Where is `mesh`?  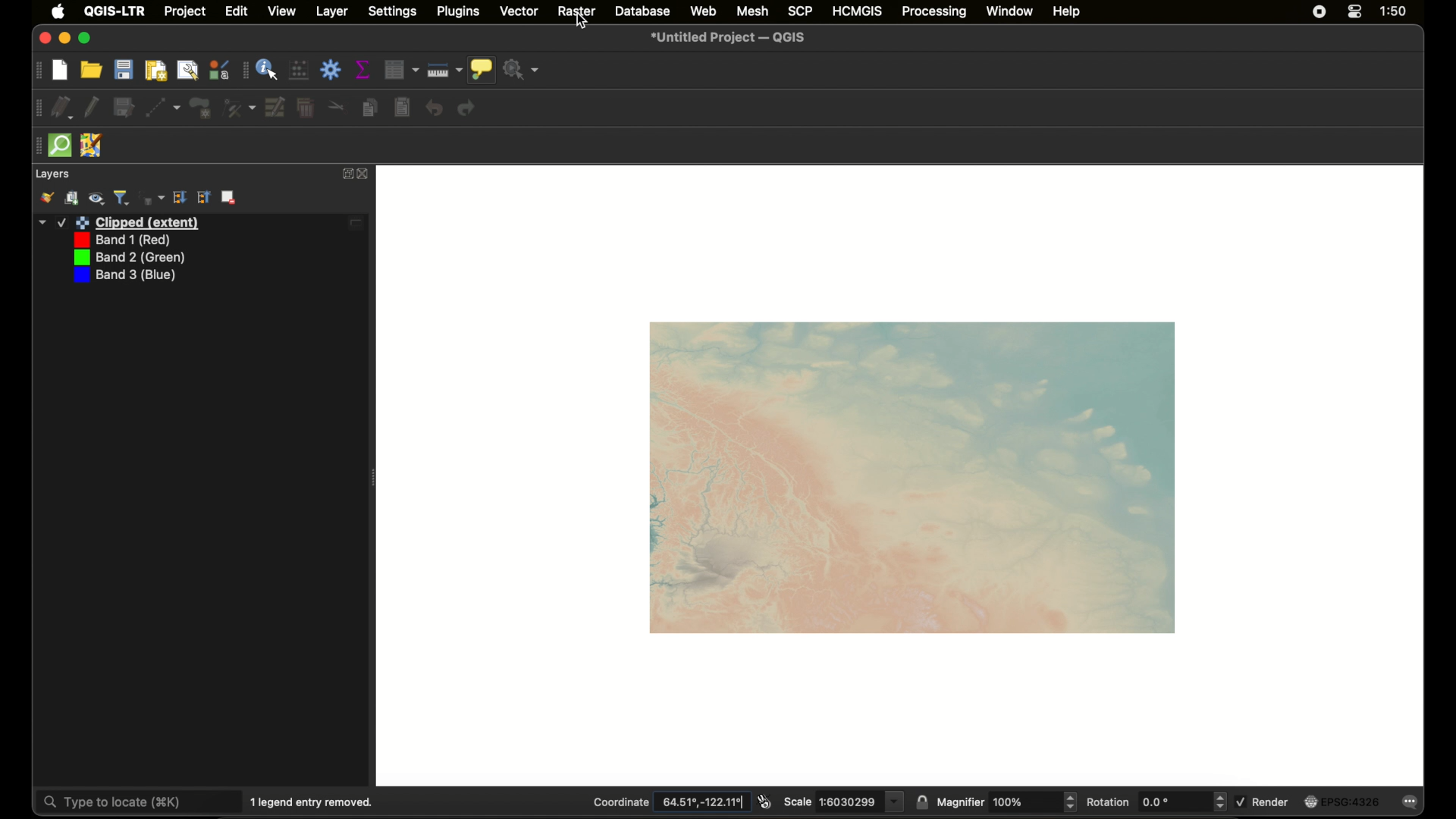 mesh is located at coordinates (752, 11).